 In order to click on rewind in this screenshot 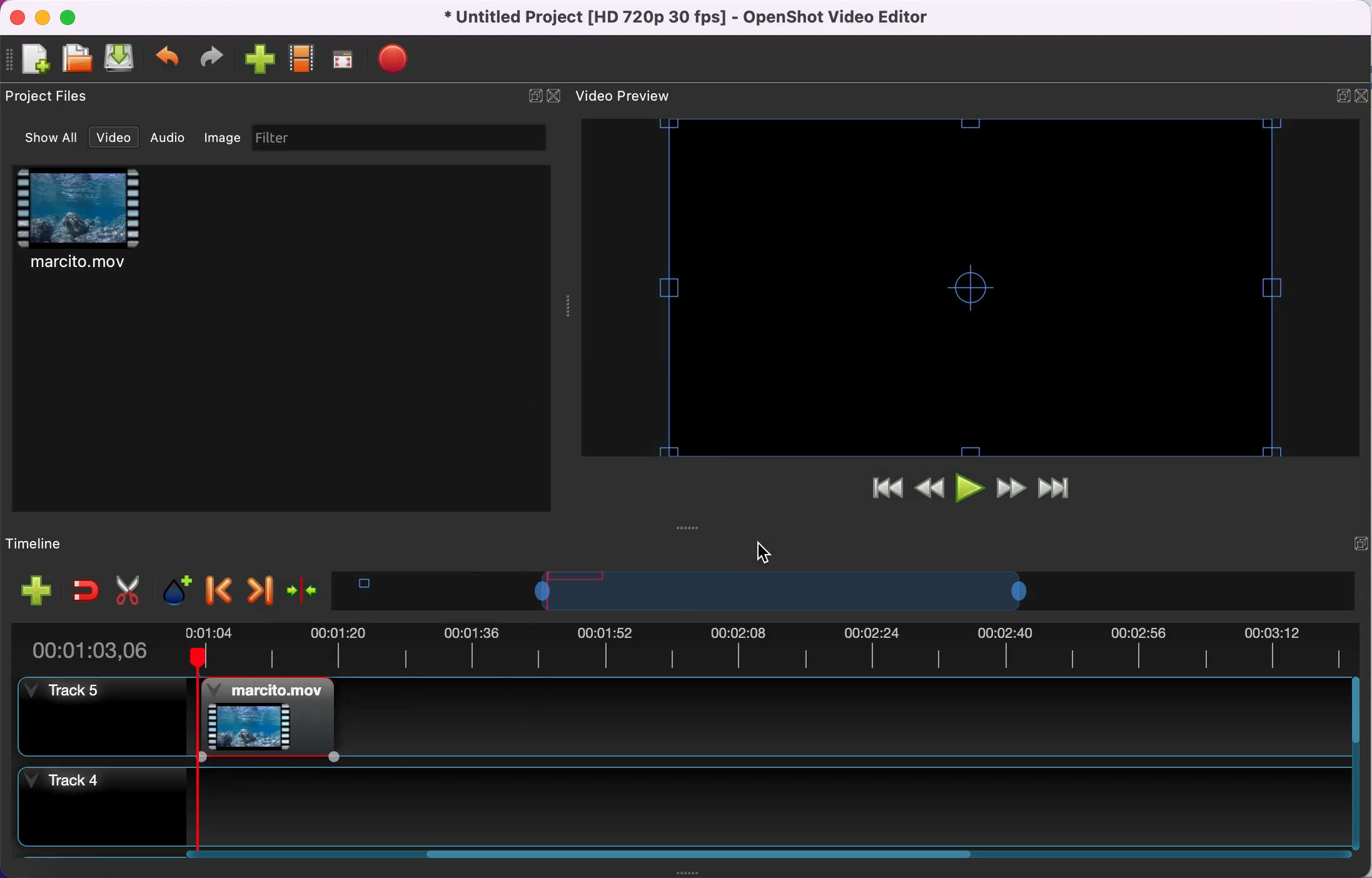, I will do `click(932, 492)`.